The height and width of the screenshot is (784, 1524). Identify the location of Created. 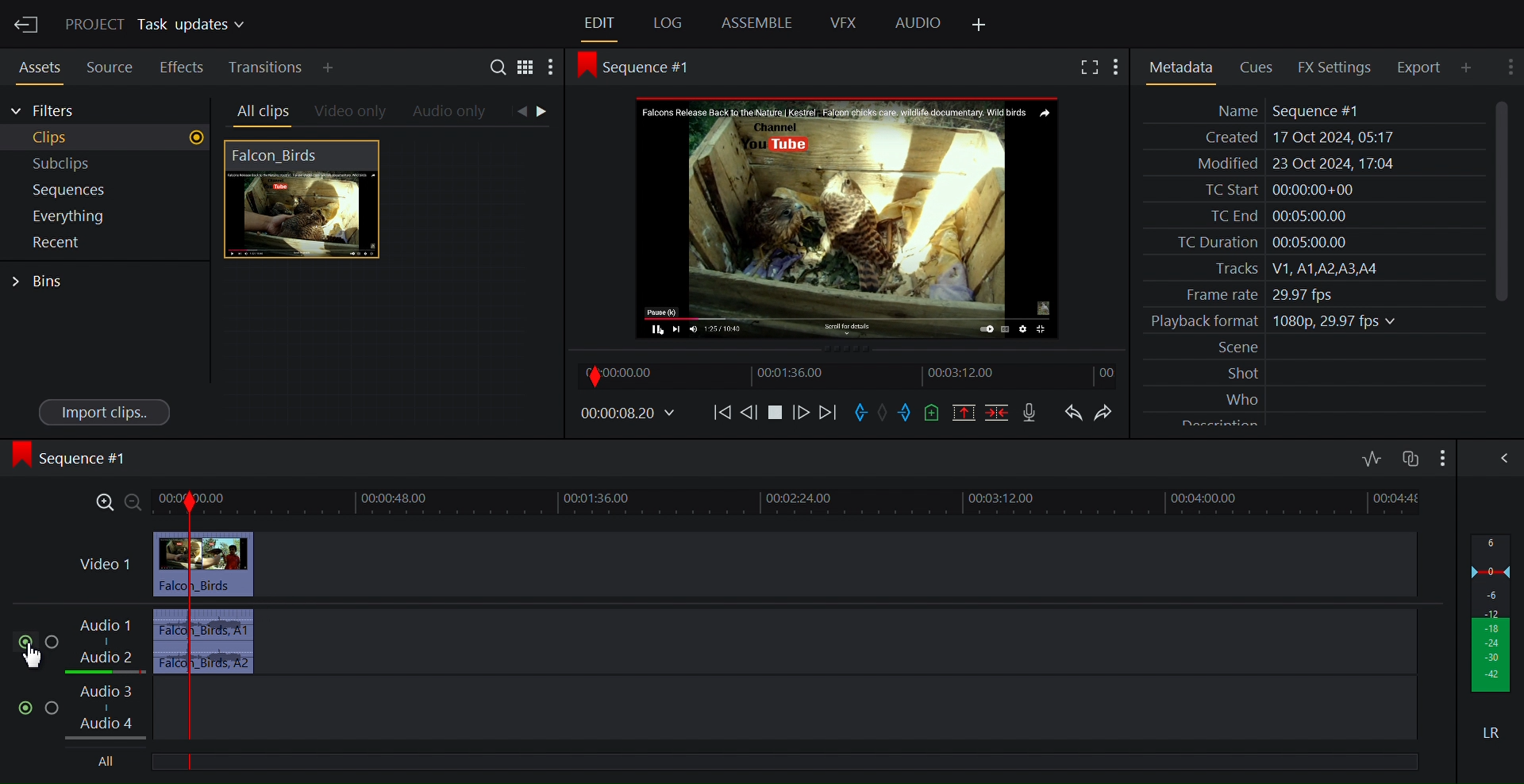
(1310, 138).